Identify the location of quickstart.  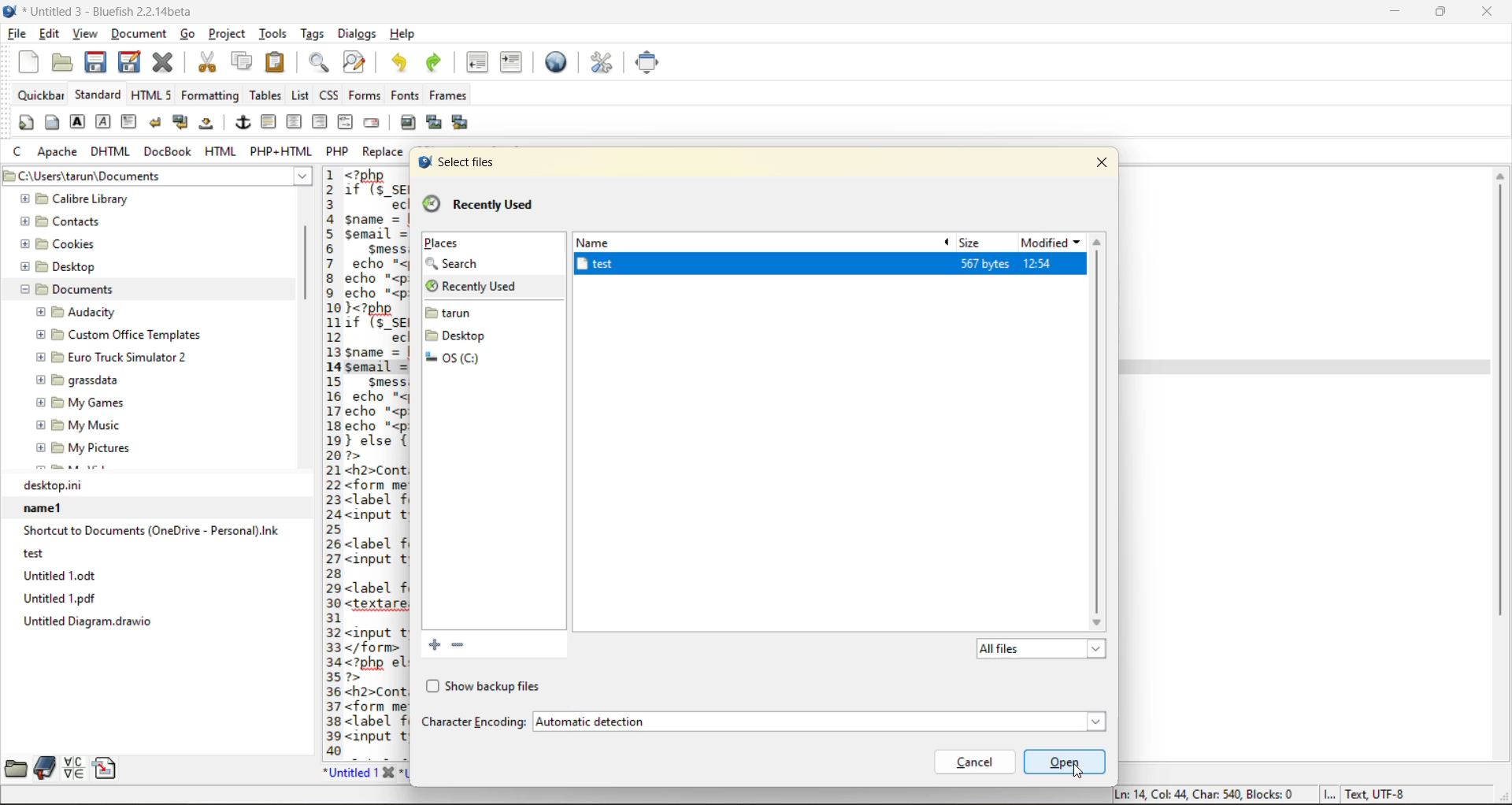
(24, 124).